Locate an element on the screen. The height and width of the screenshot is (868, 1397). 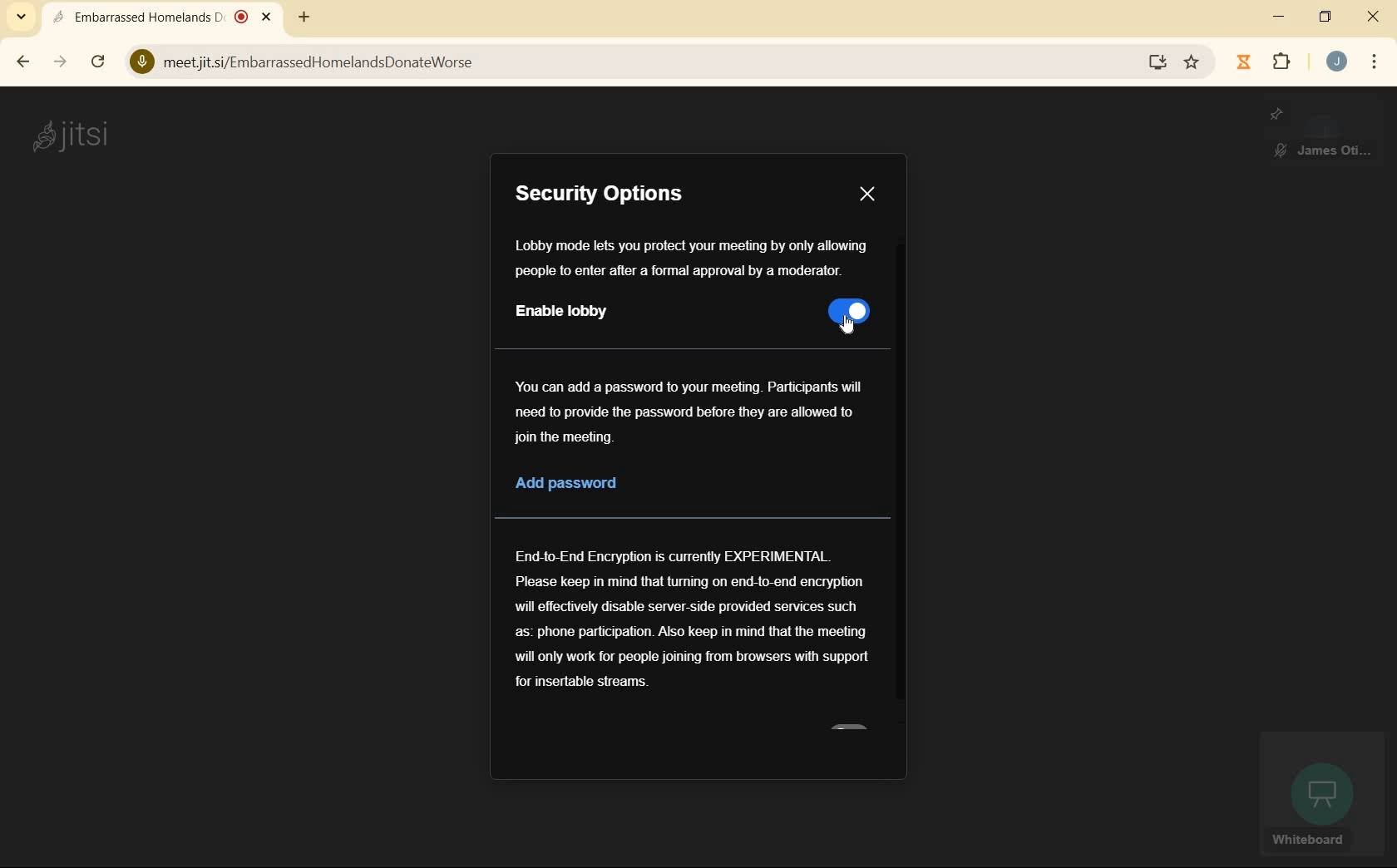
customize google chrome is located at coordinates (1374, 62).